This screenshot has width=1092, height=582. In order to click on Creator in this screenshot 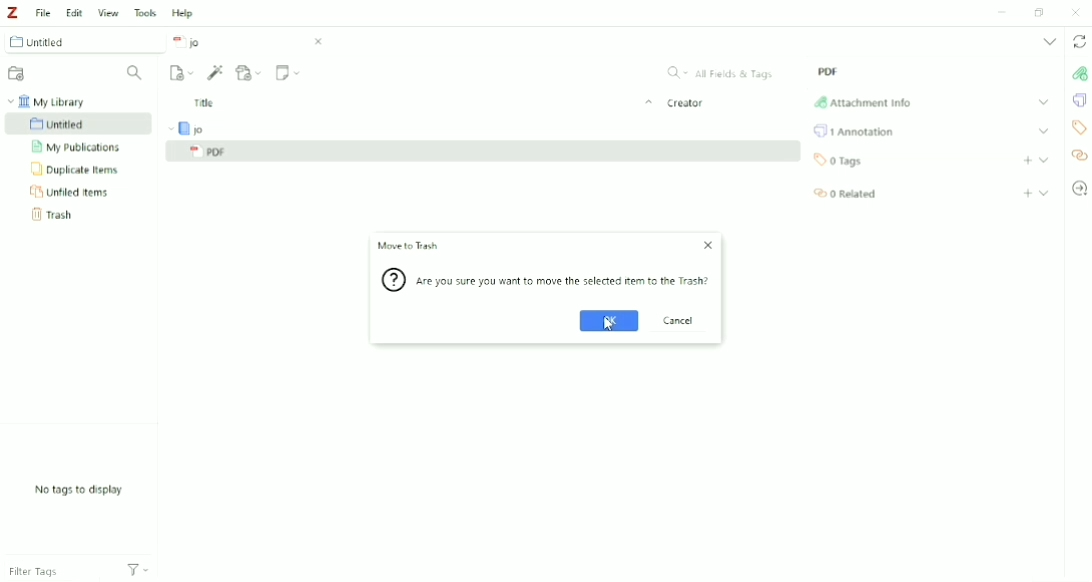, I will do `click(688, 105)`.